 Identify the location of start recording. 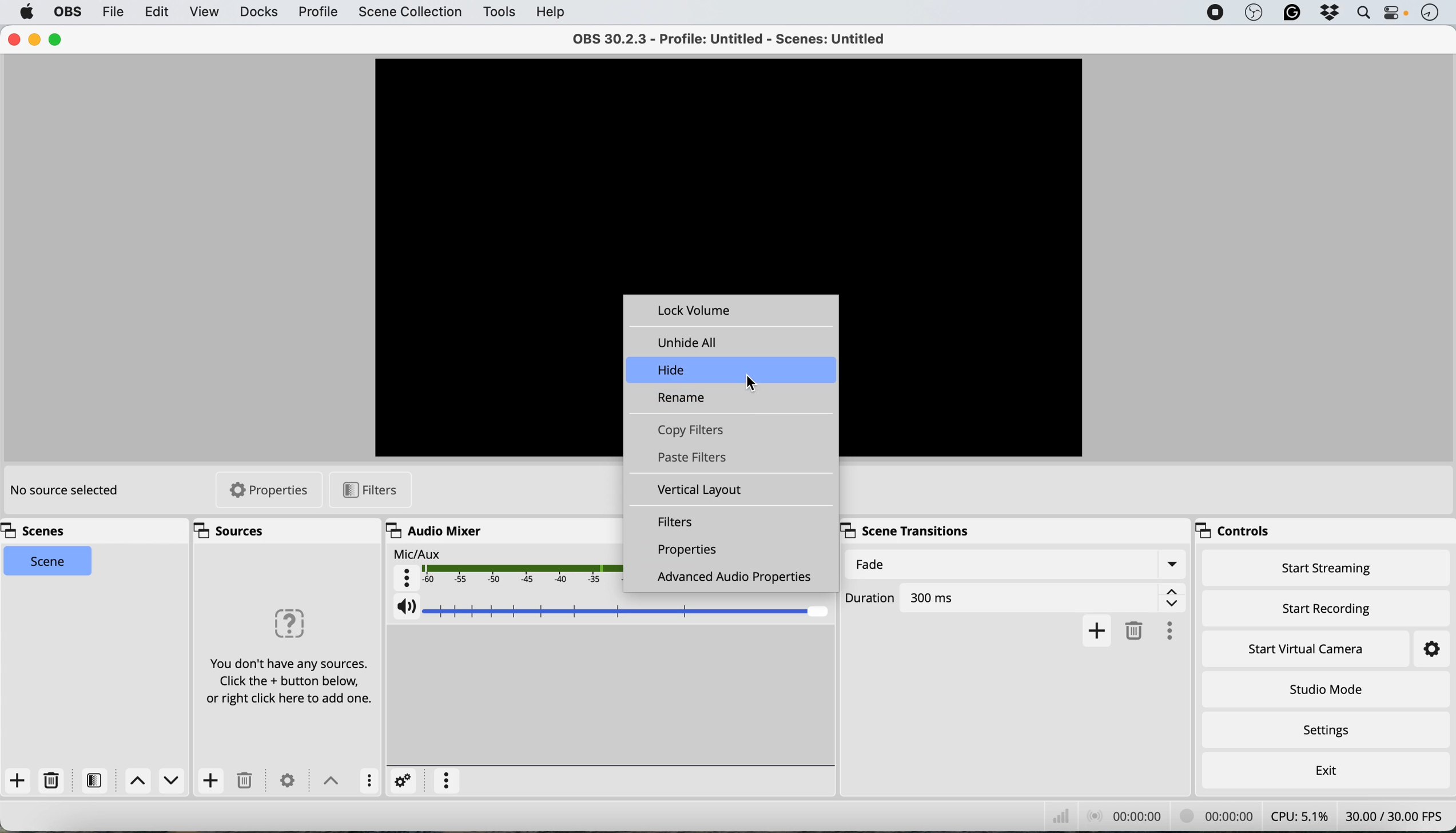
(1332, 608).